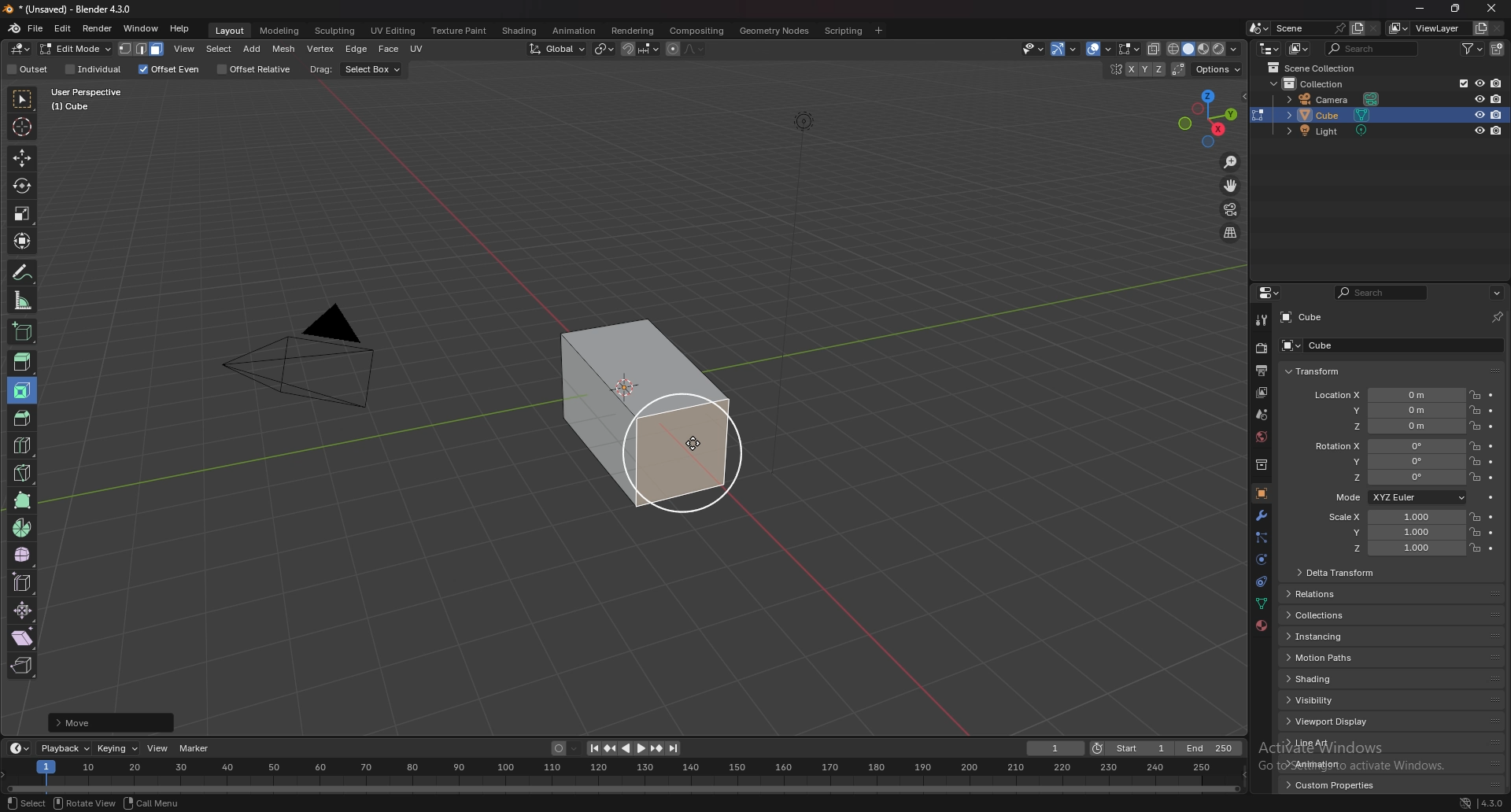 This screenshot has height=812, width=1511. Describe the element at coordinates (1388, 411) in the screenshot. I see `location y` at that location.